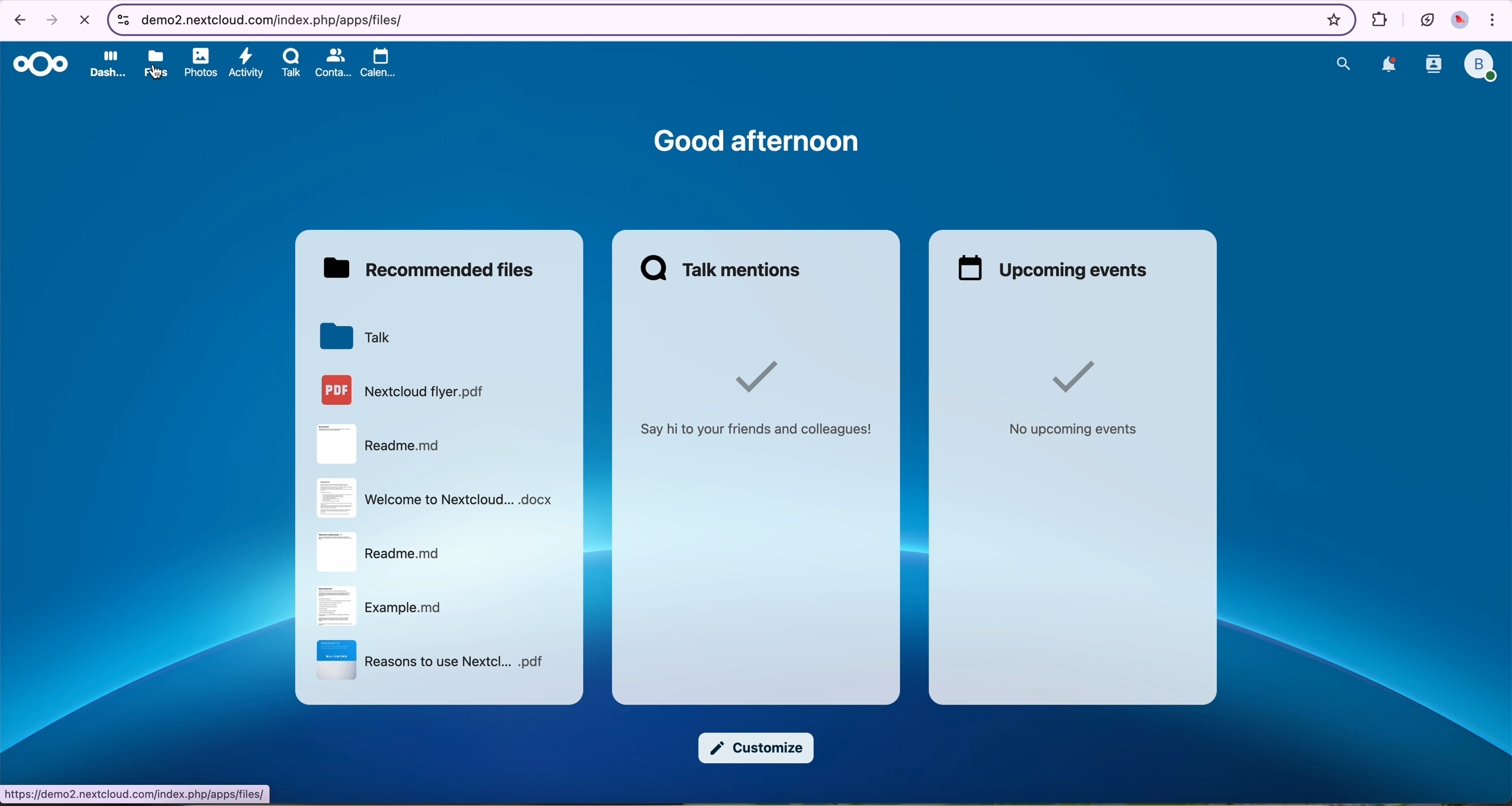  What do you see at coordinates (430, 267) in the screenshot?
I see `recommended files` at bounding box center [430, 267].